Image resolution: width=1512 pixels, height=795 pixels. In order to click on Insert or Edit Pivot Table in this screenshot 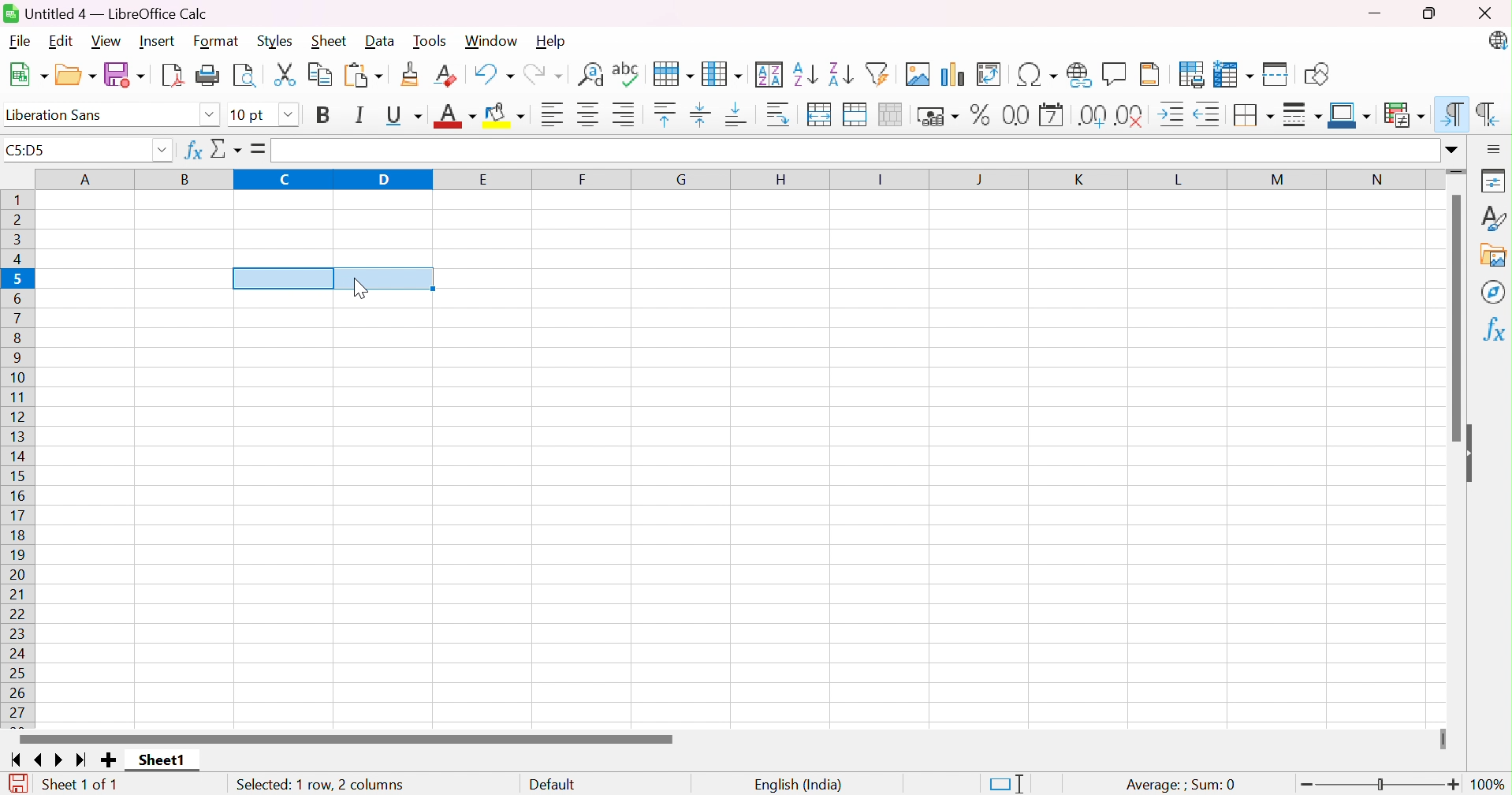, I will do `click(991, 74)`.